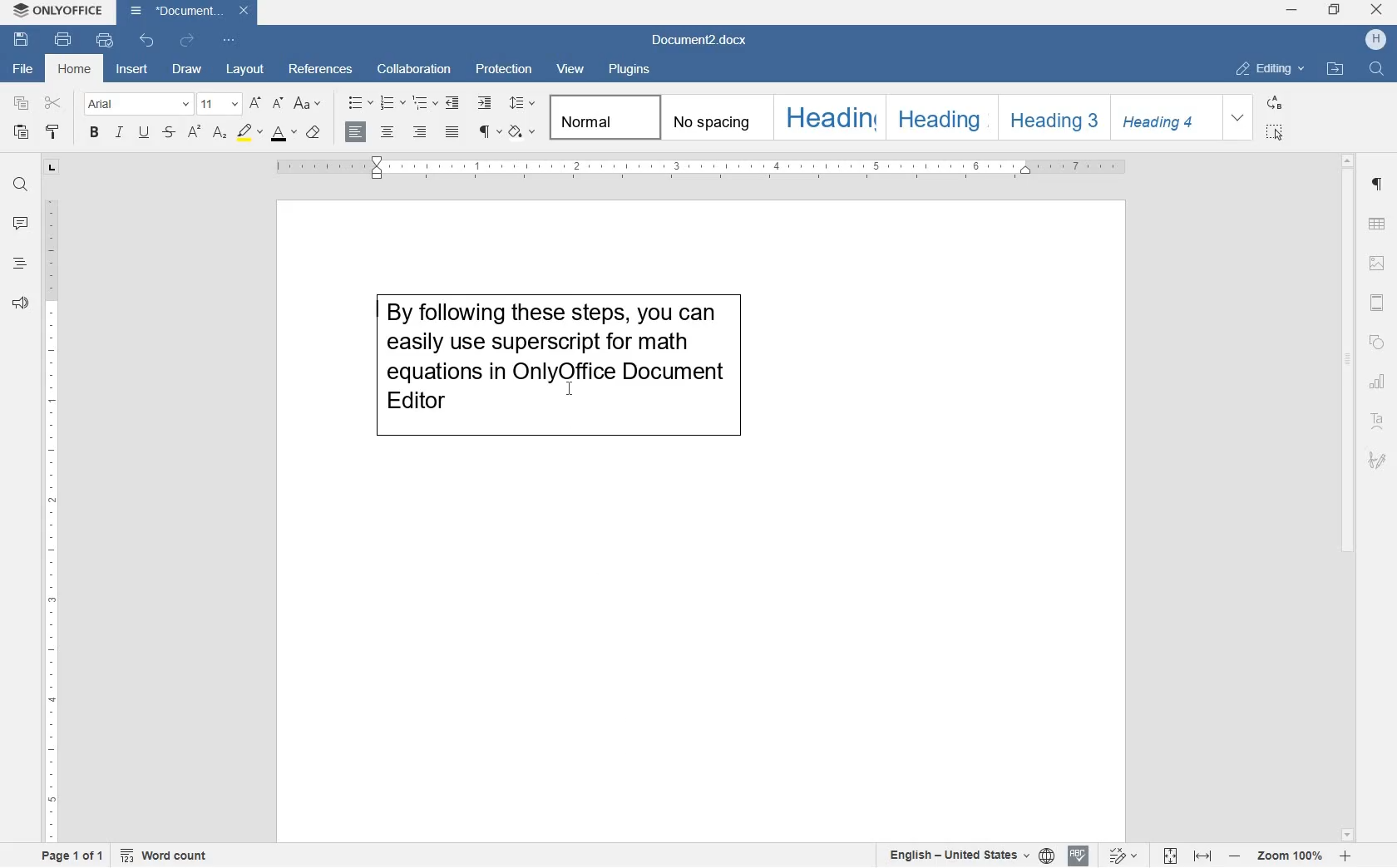  What do you see at coordinates (1050, 117) in the screenshot?
I see `HEADING 3` at bounding box center [1050, 117].